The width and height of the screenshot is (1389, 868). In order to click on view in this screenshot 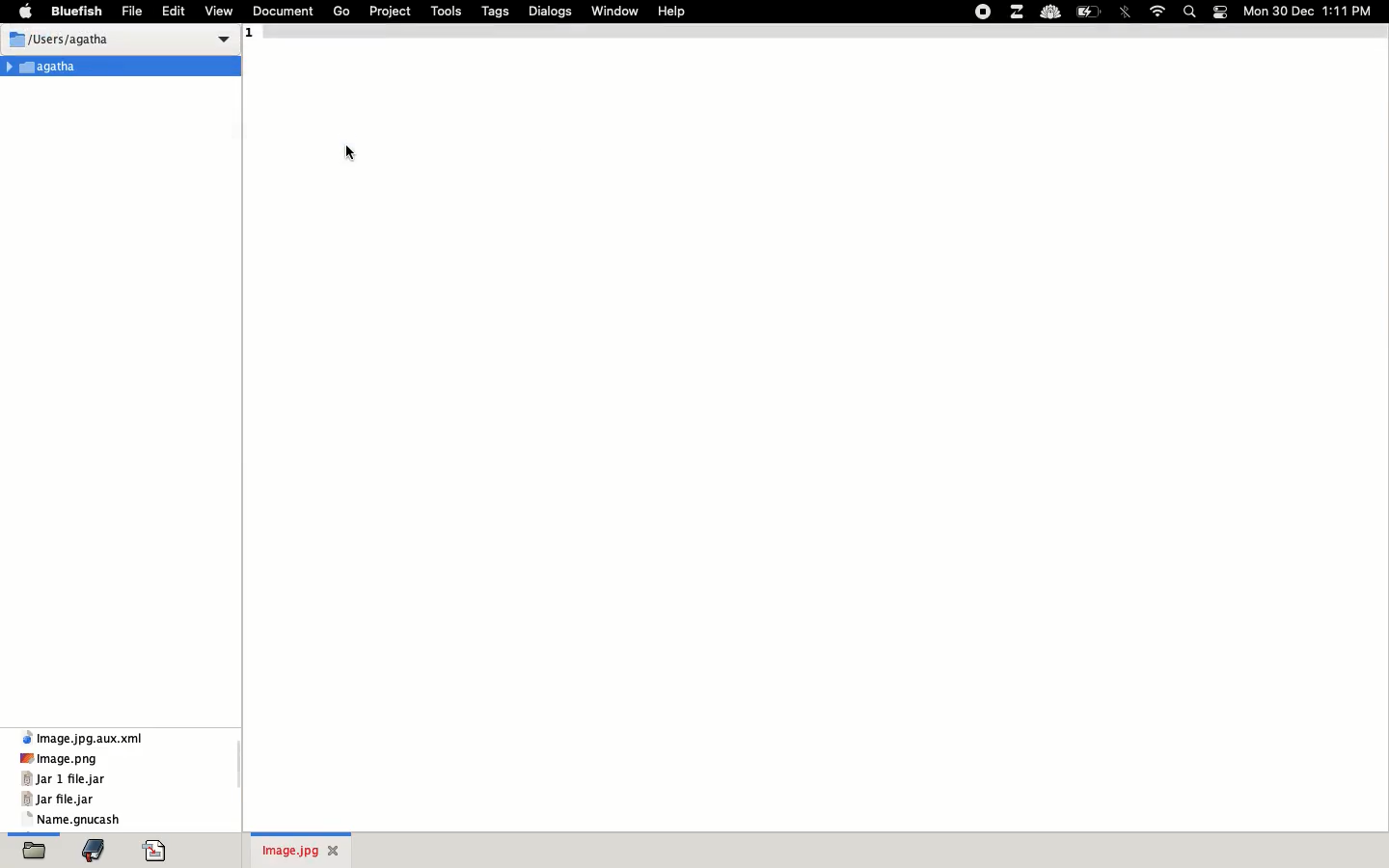, I will do `click(222, 9)`.